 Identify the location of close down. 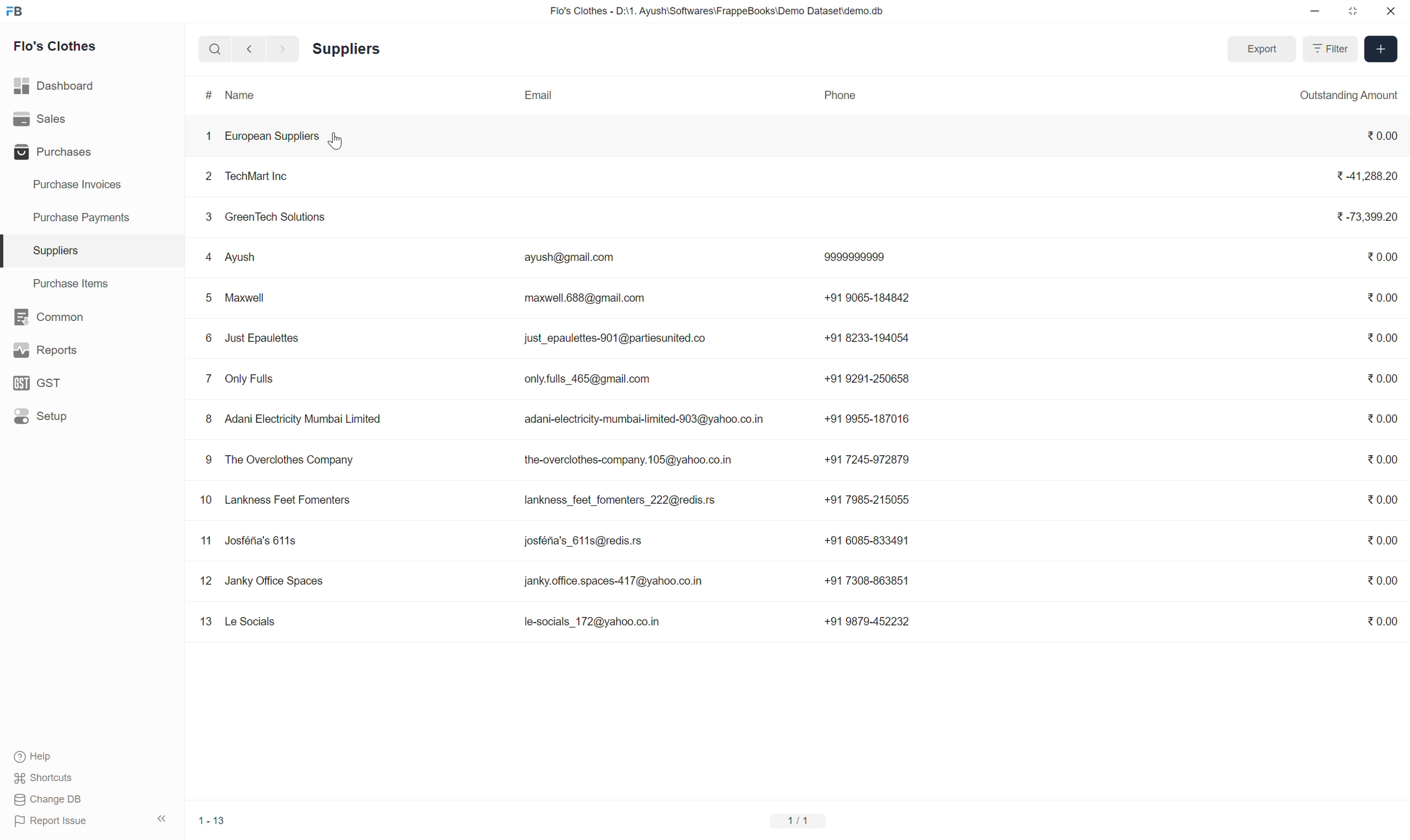
(1354, 12).